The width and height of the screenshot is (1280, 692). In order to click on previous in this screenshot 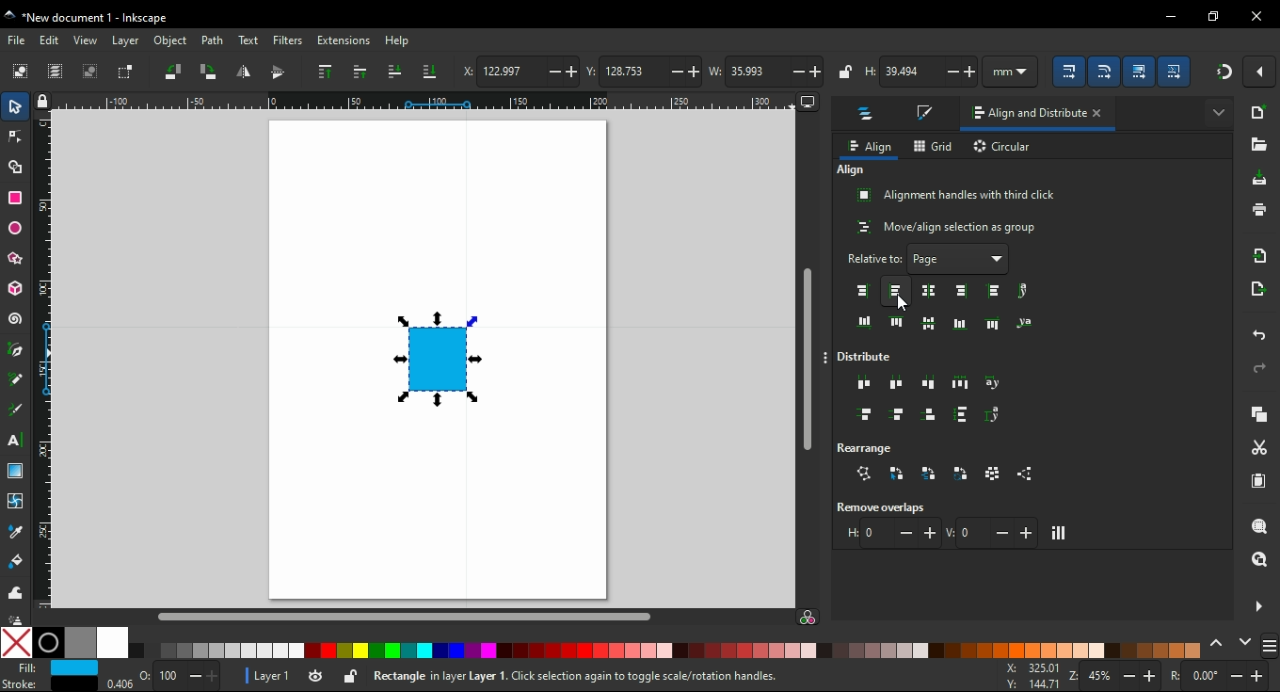, I will do `click(1218, 644)`.